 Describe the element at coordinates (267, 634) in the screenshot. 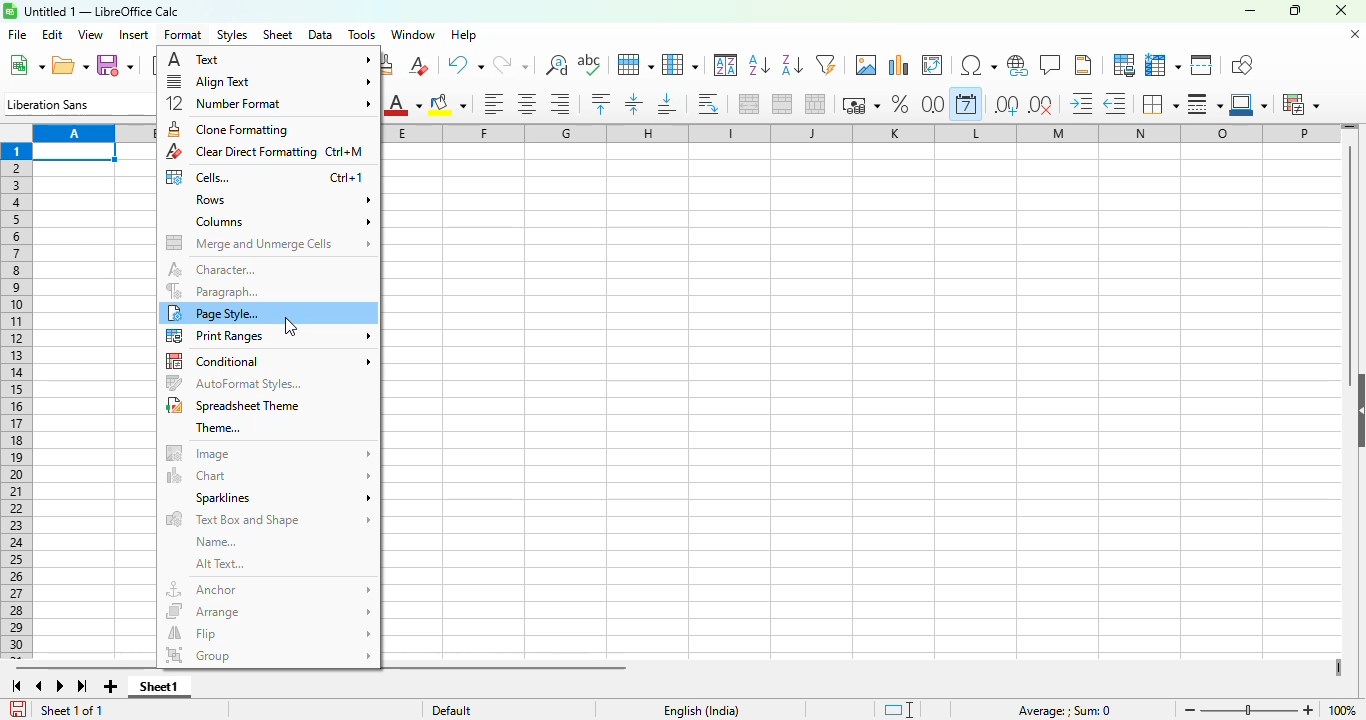

I see `flip` at that location.